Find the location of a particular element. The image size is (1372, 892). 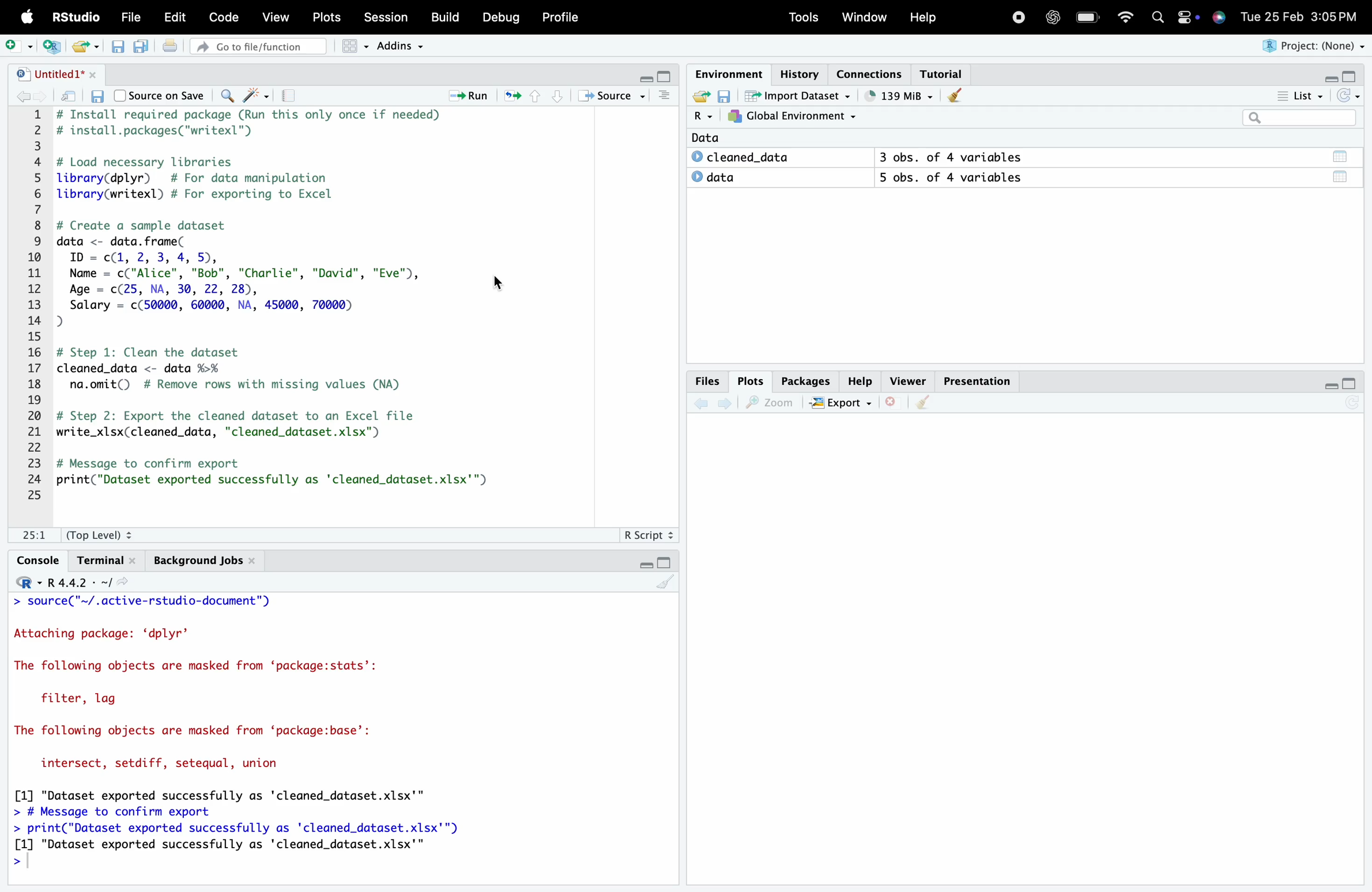

Session is located at coordinates (385, 19).